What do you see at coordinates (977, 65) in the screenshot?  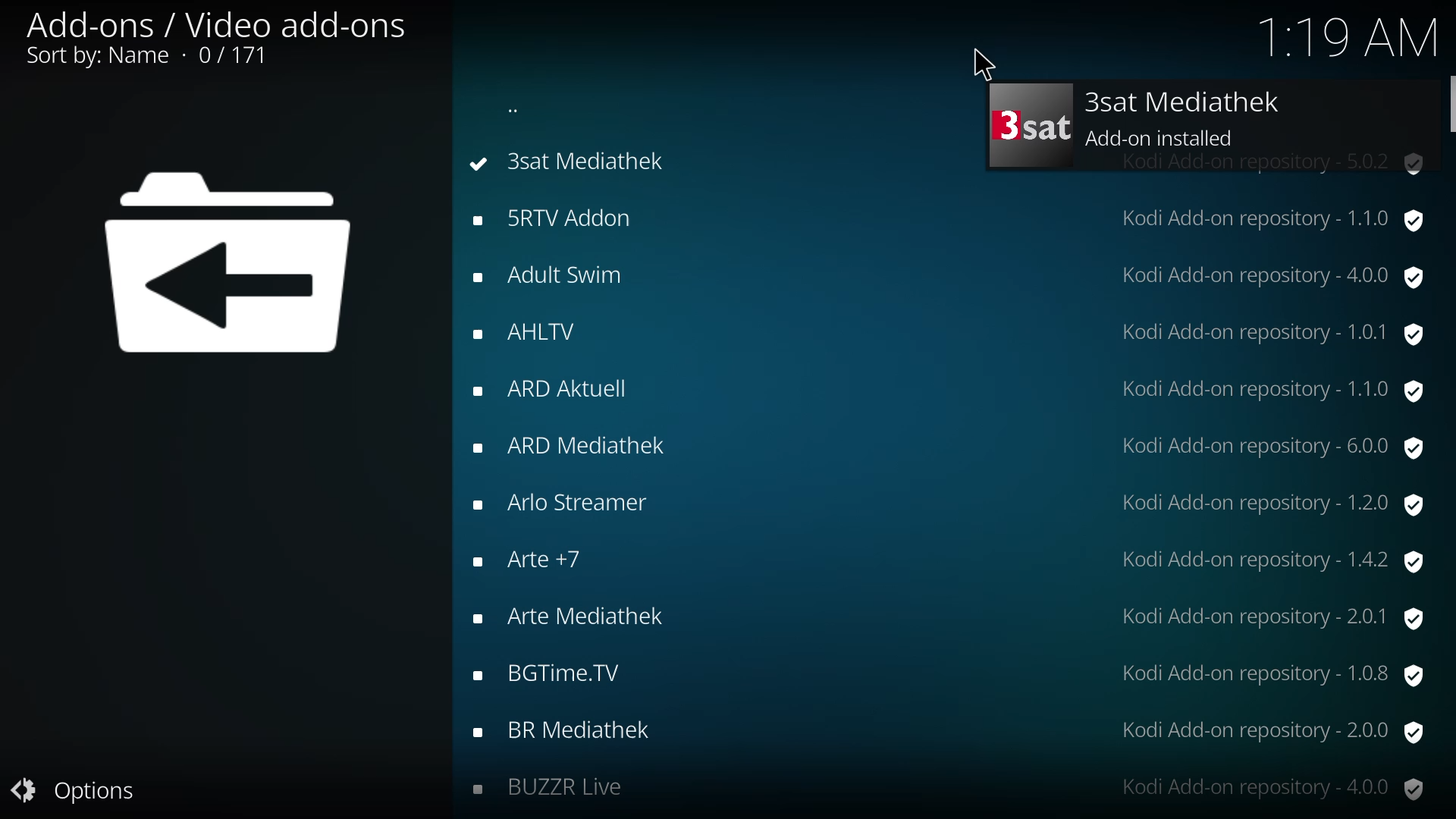 I see `cursor` at bounding box center [977, 65].